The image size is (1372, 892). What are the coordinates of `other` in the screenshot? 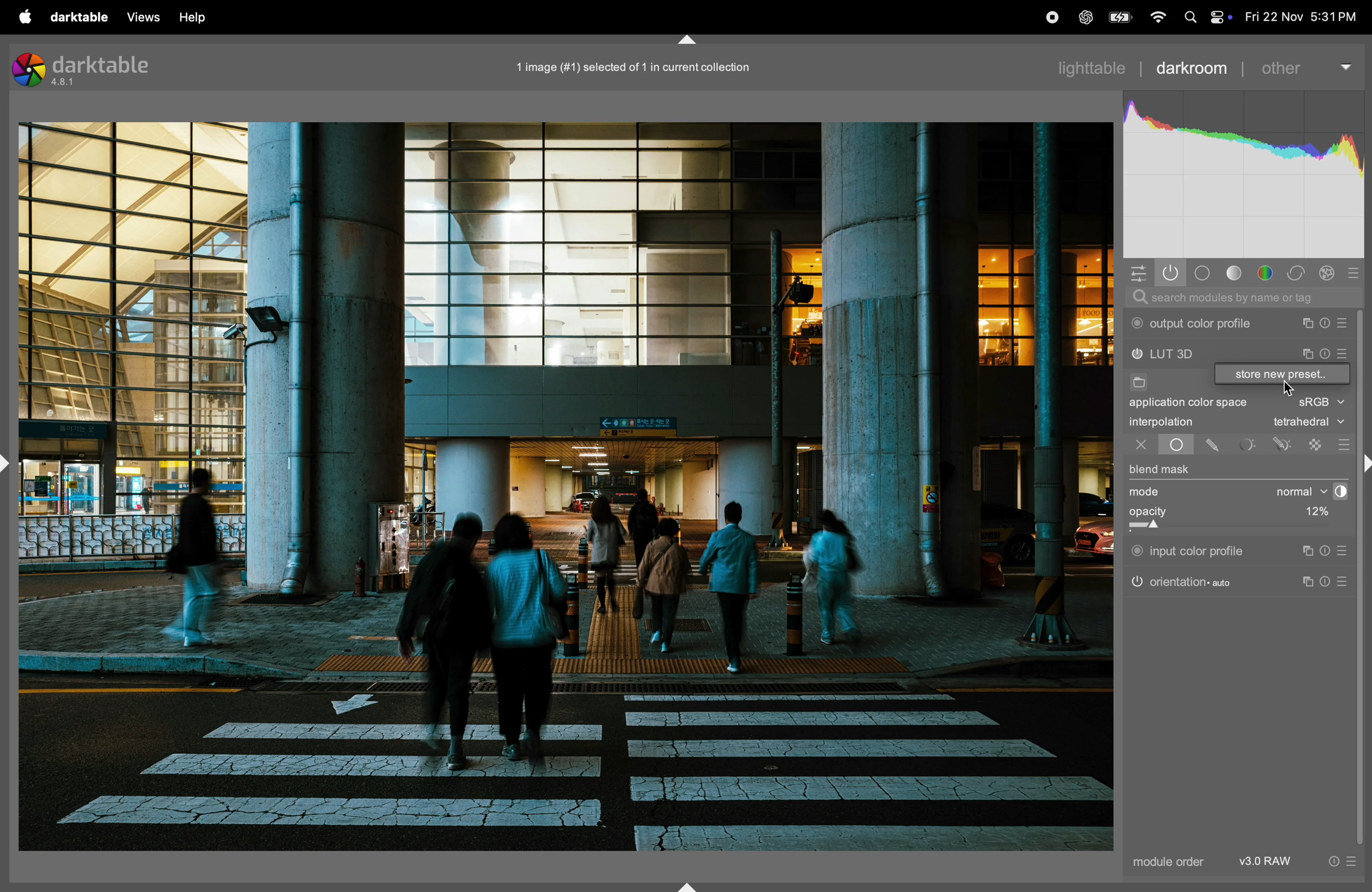 It's located at (1305, 63).